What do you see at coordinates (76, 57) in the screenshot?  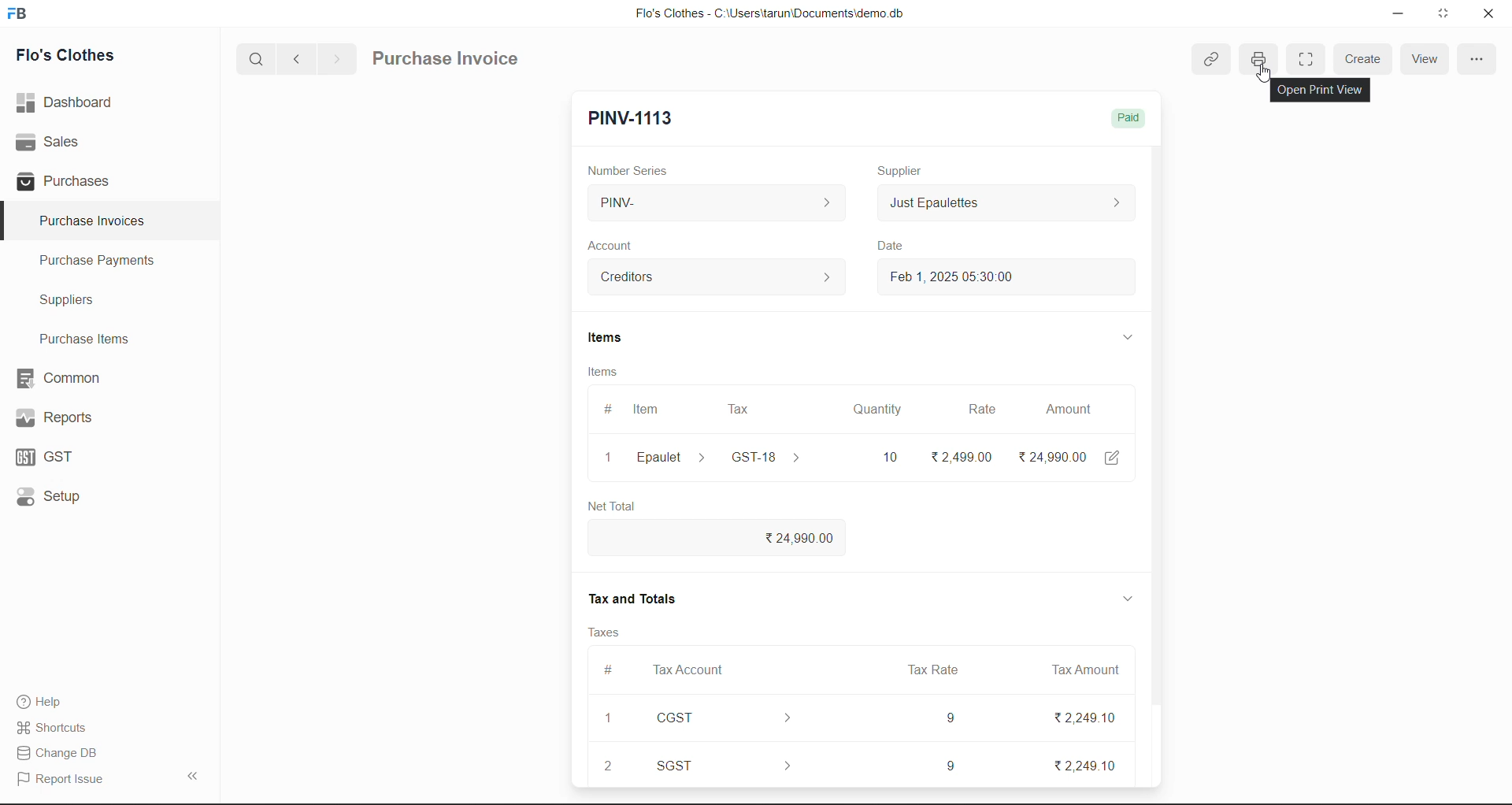 I see `Flo's Clothes` at bounding box center [76, 57].